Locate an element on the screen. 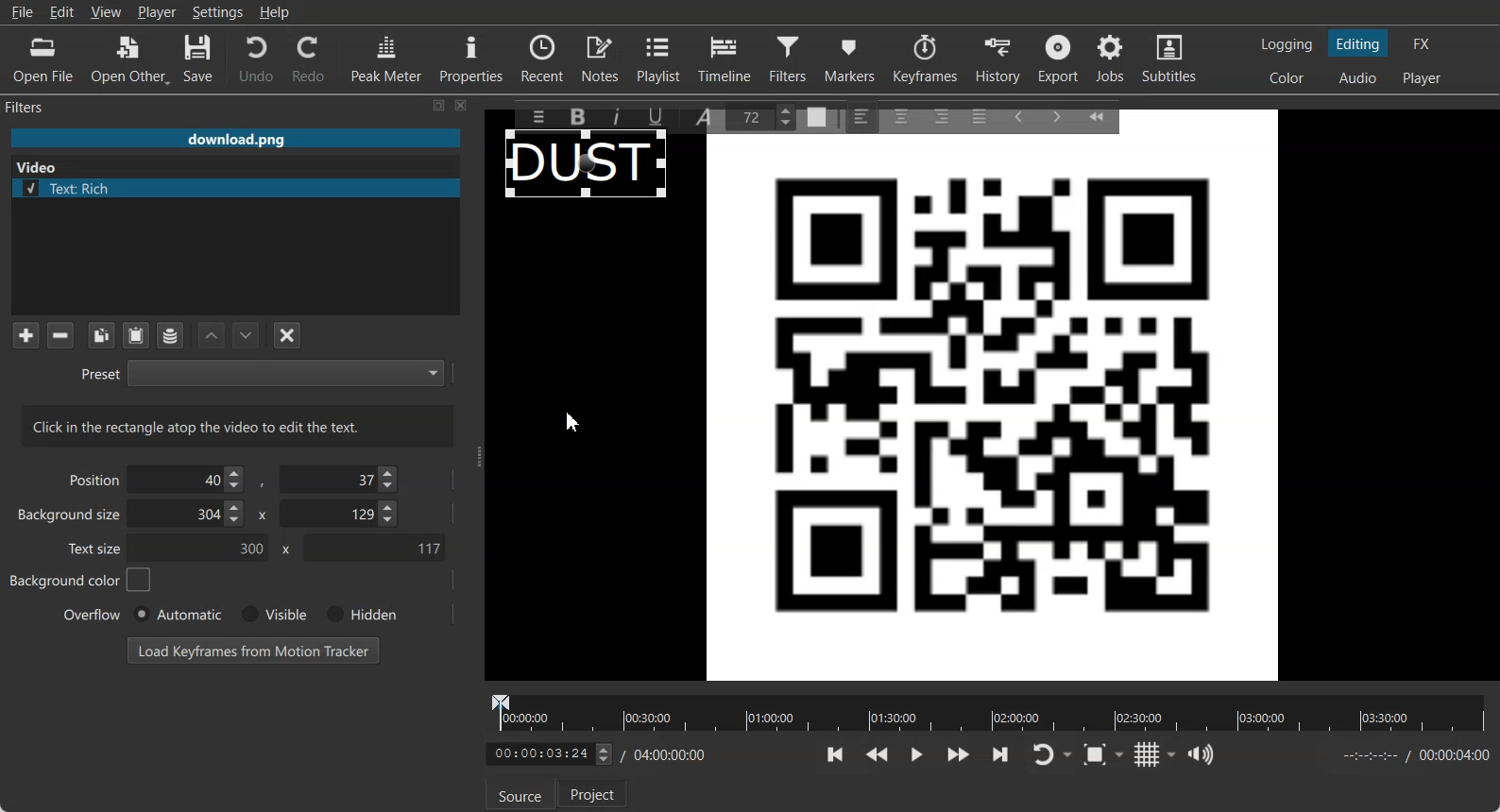 The height and width of the screenshot is (812, 1500). Notes is located at coordinates (602, 58).